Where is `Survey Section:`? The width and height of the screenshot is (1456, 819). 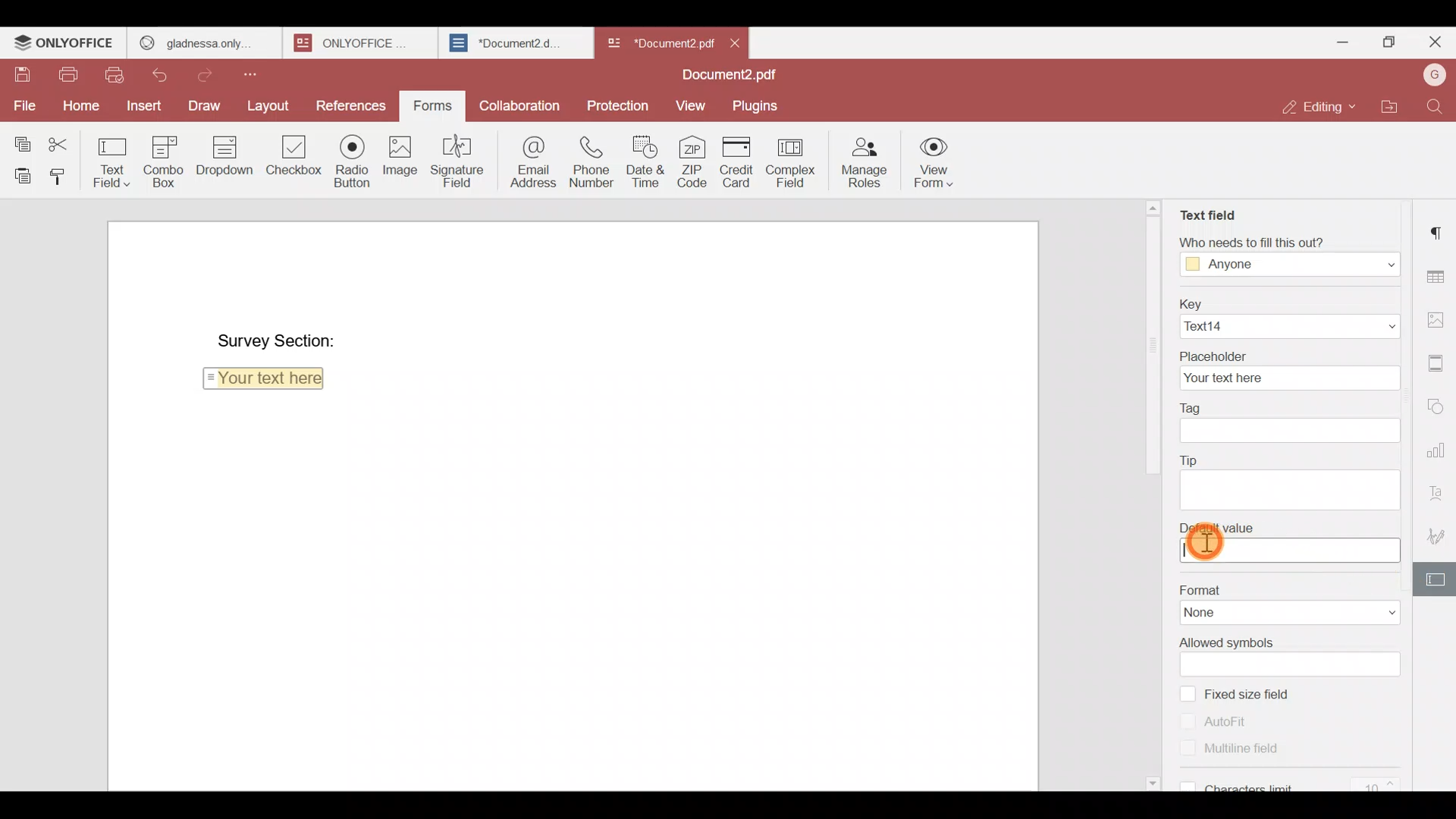 Survey Section: is located at coordinates (277, 334).